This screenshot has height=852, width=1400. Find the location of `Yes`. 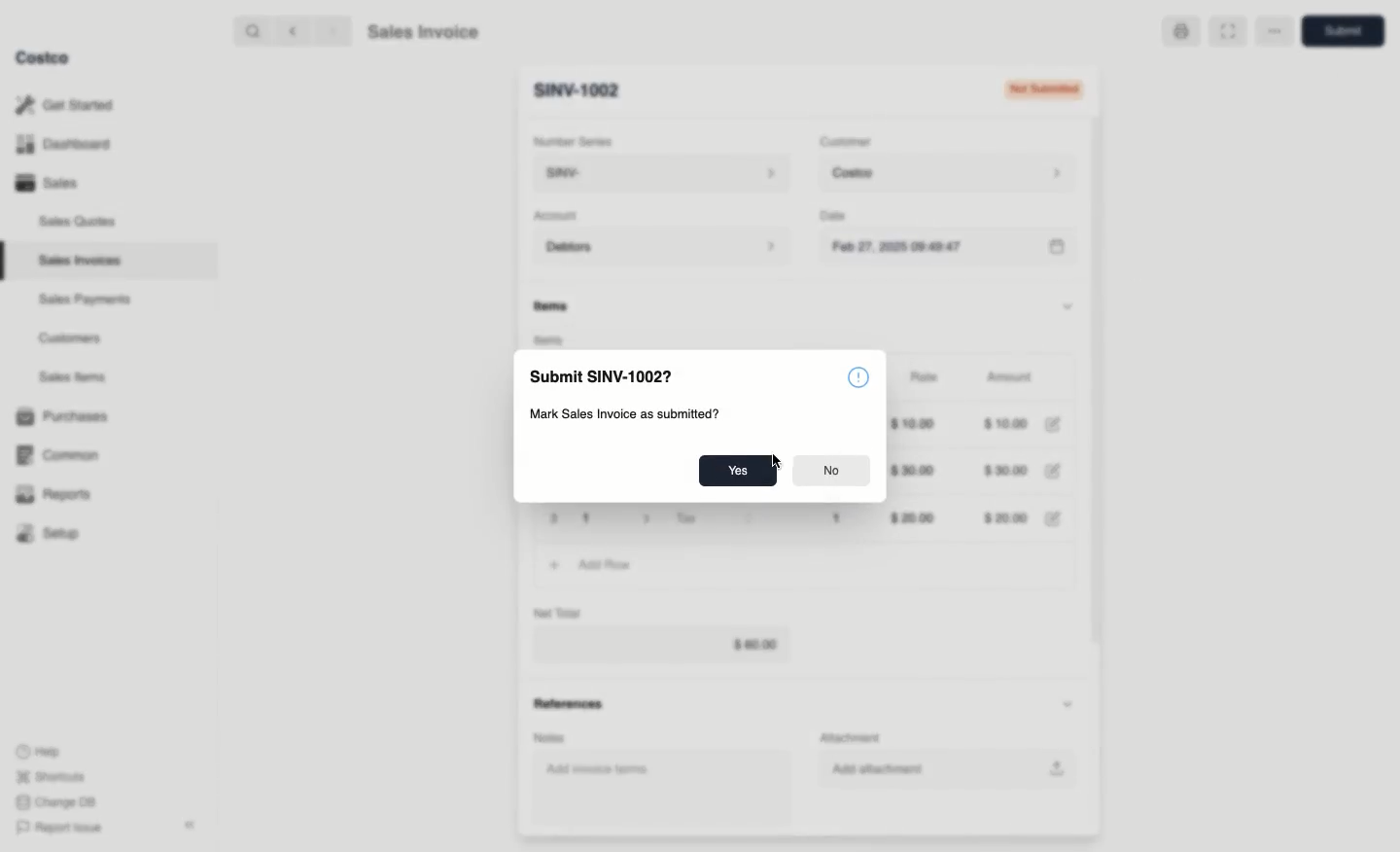

Yes is located at coordinates (737, 473).